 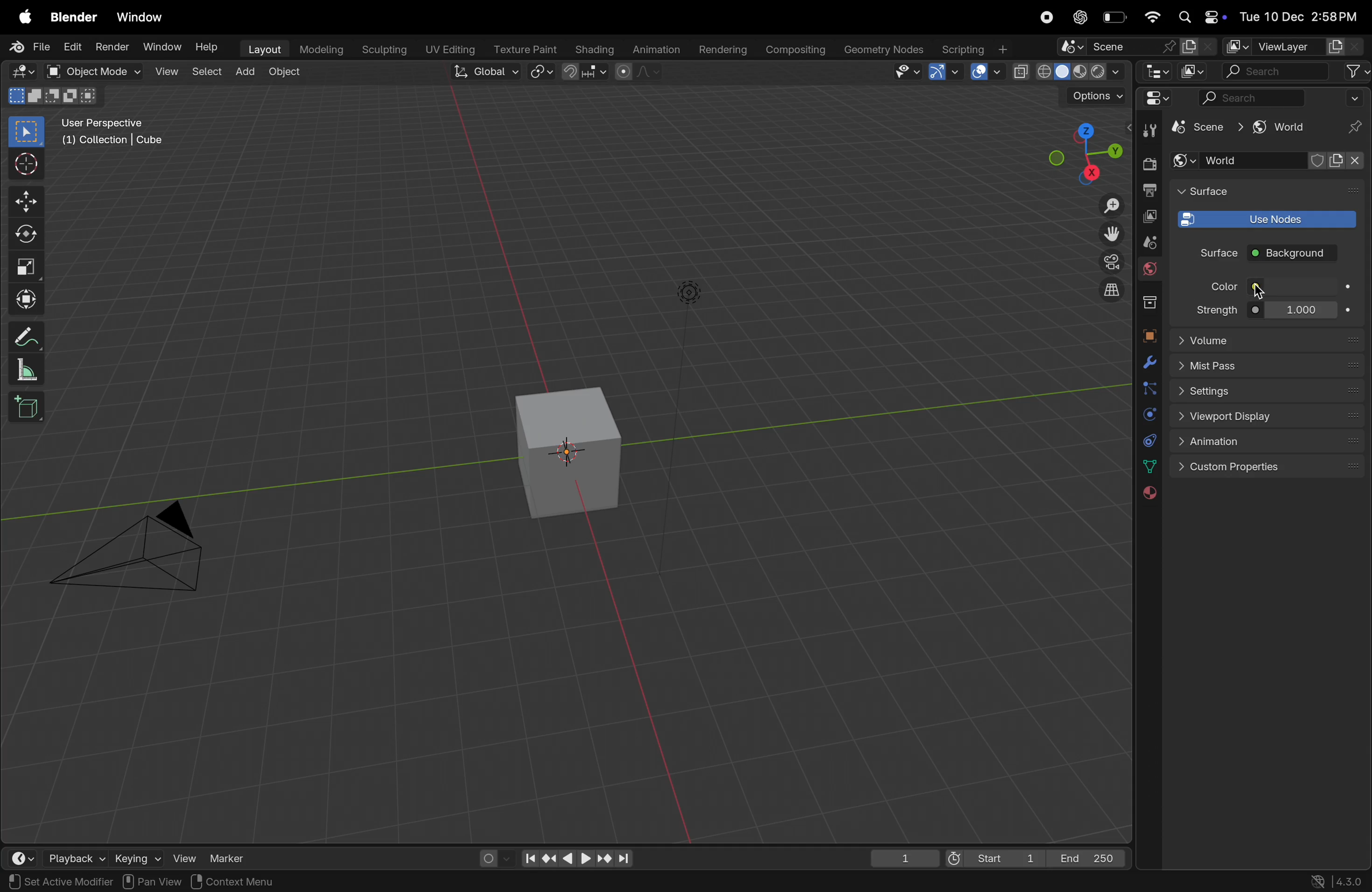 I want to click on settings, so click(x=1269, y=393).